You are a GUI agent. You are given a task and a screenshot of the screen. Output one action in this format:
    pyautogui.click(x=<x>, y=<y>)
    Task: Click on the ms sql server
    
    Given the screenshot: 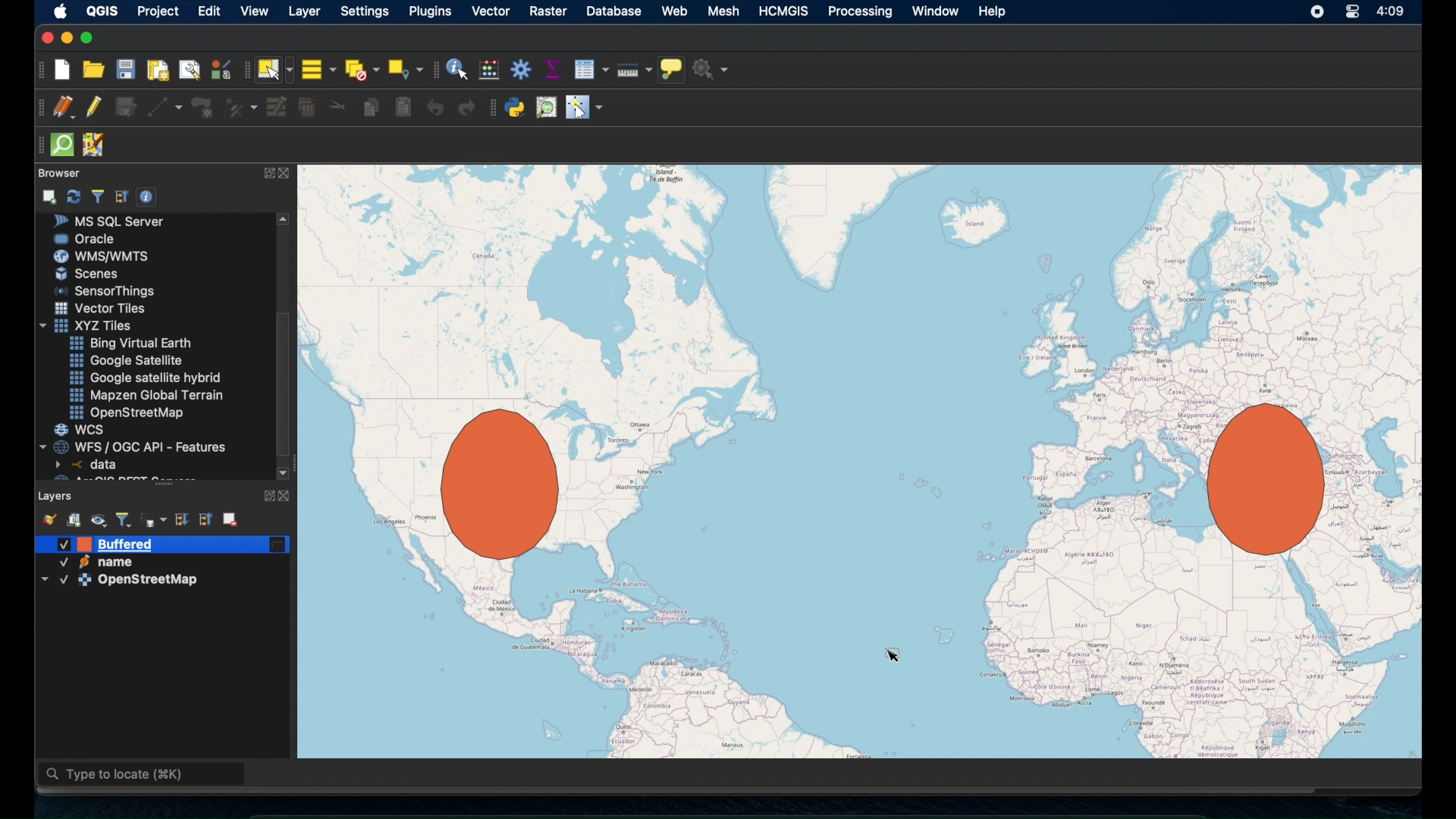 What is the action you would take?
    pyautogui.click(x=115, y=221)
    